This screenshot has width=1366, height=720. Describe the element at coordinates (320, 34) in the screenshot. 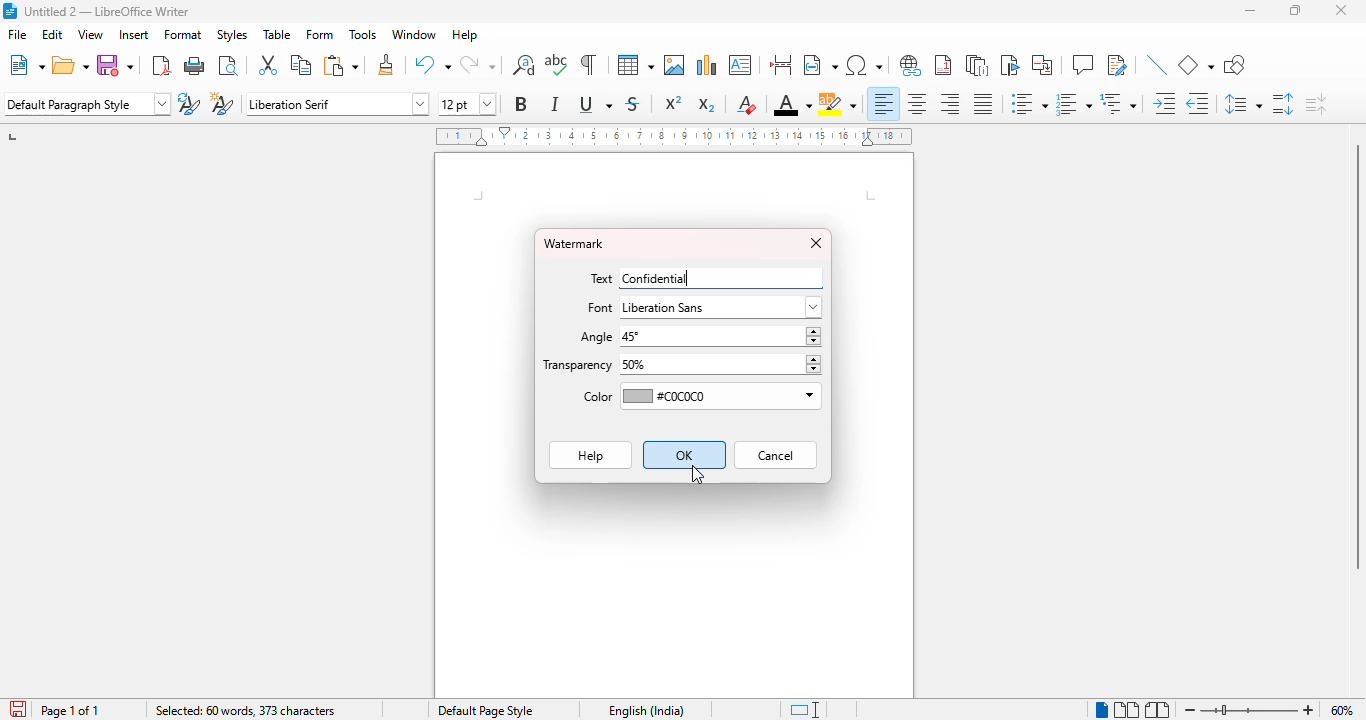

I see `form` at that location.